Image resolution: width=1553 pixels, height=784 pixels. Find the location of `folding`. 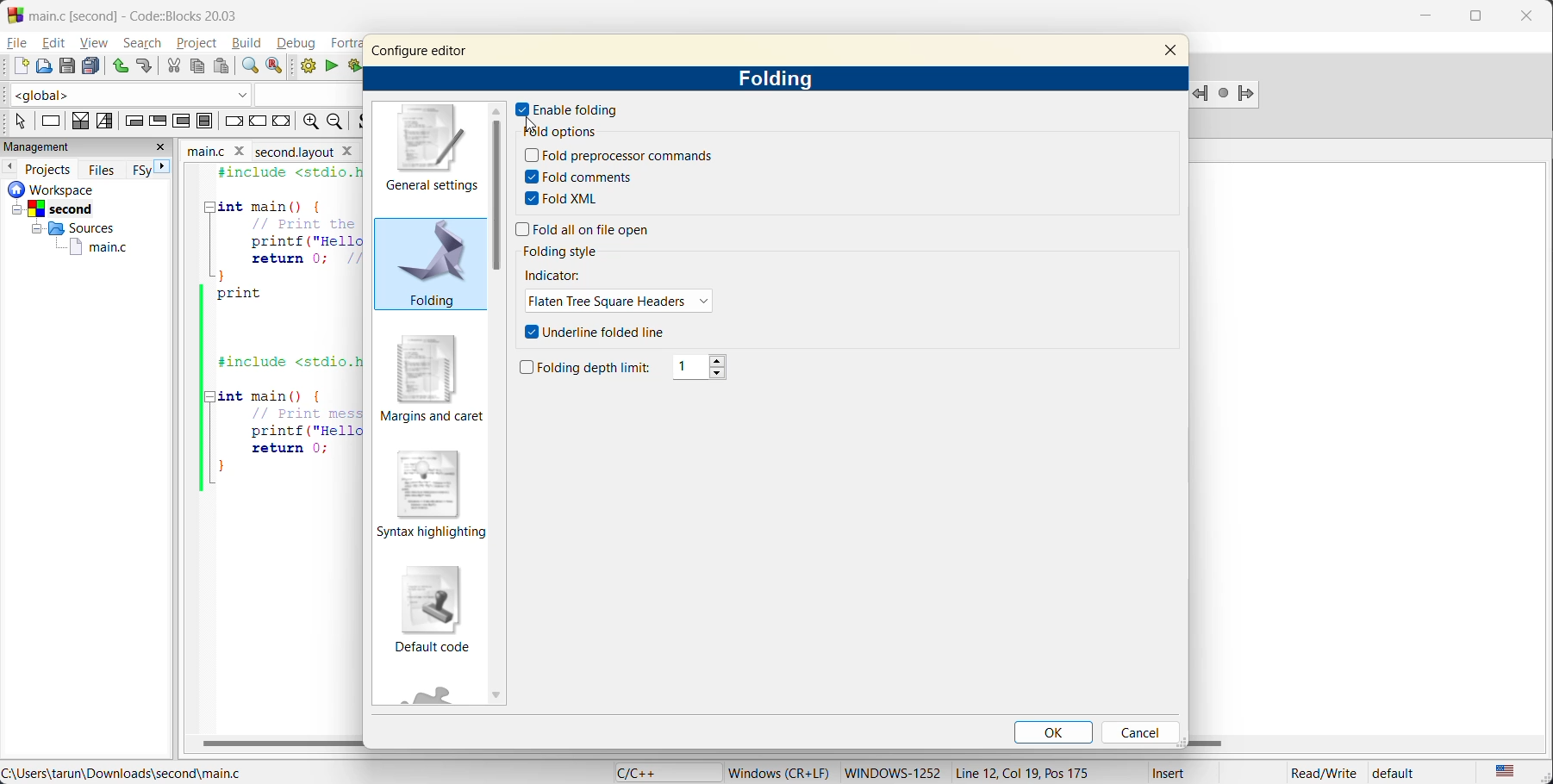

folding is located at coordinates (781, 81).